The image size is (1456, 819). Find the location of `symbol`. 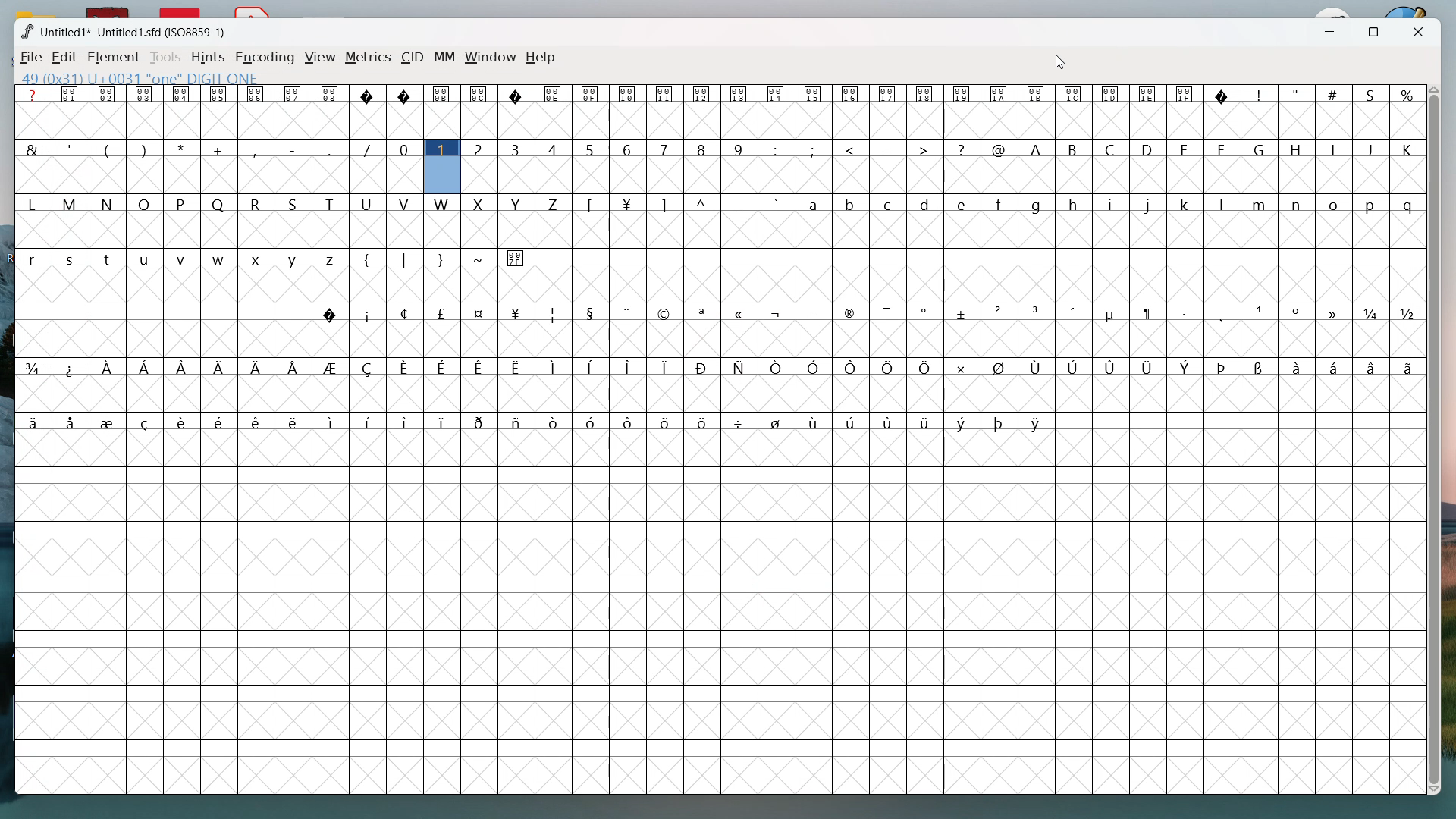

symbol is located at coordinates (928, 422).